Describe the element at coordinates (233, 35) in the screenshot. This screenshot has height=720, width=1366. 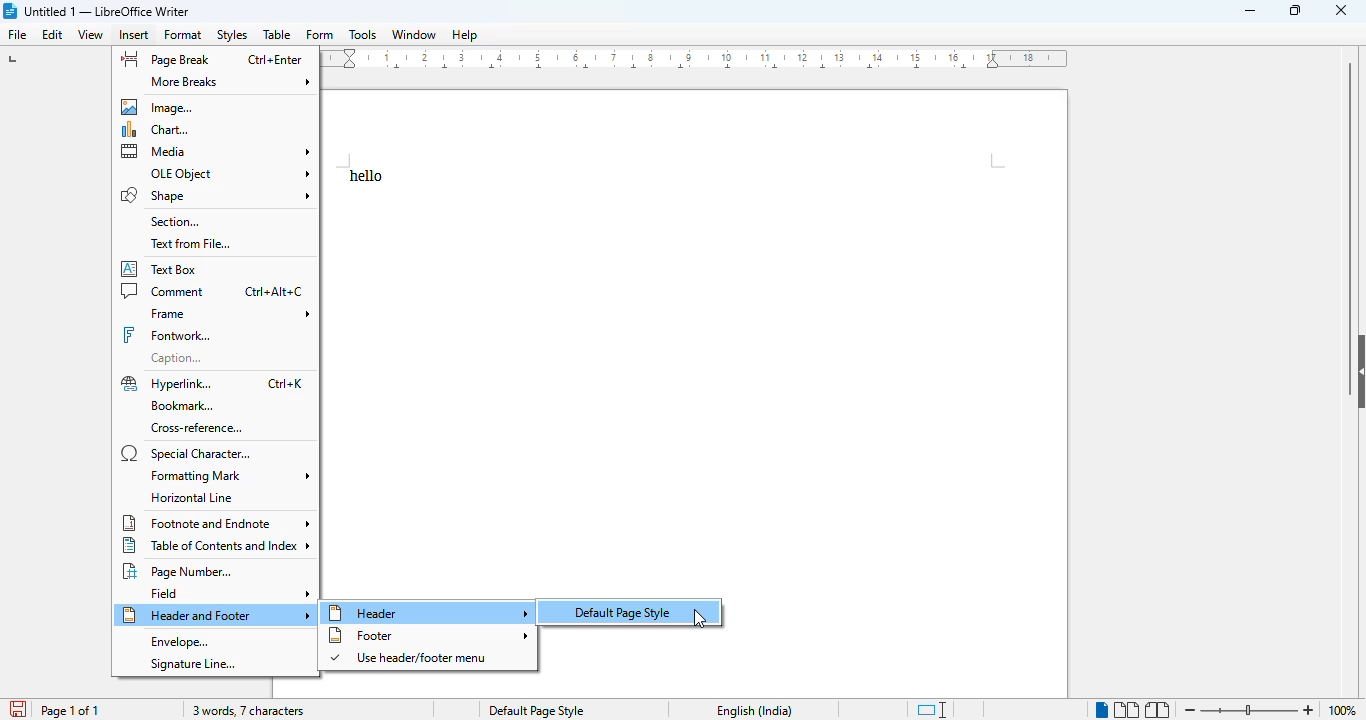
I see `styles` at that location.